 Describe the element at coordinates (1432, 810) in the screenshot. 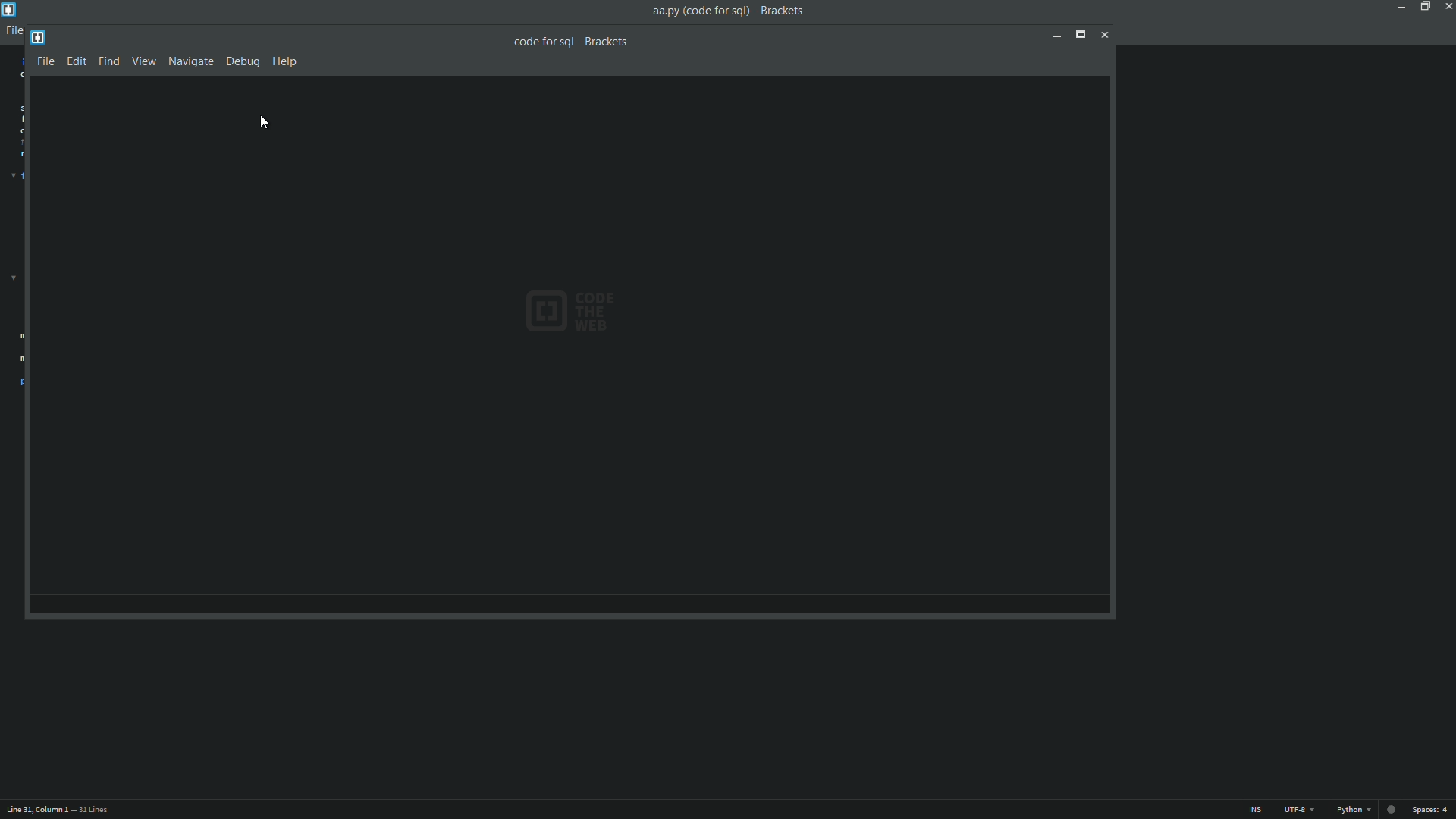

I see `space` at that location.